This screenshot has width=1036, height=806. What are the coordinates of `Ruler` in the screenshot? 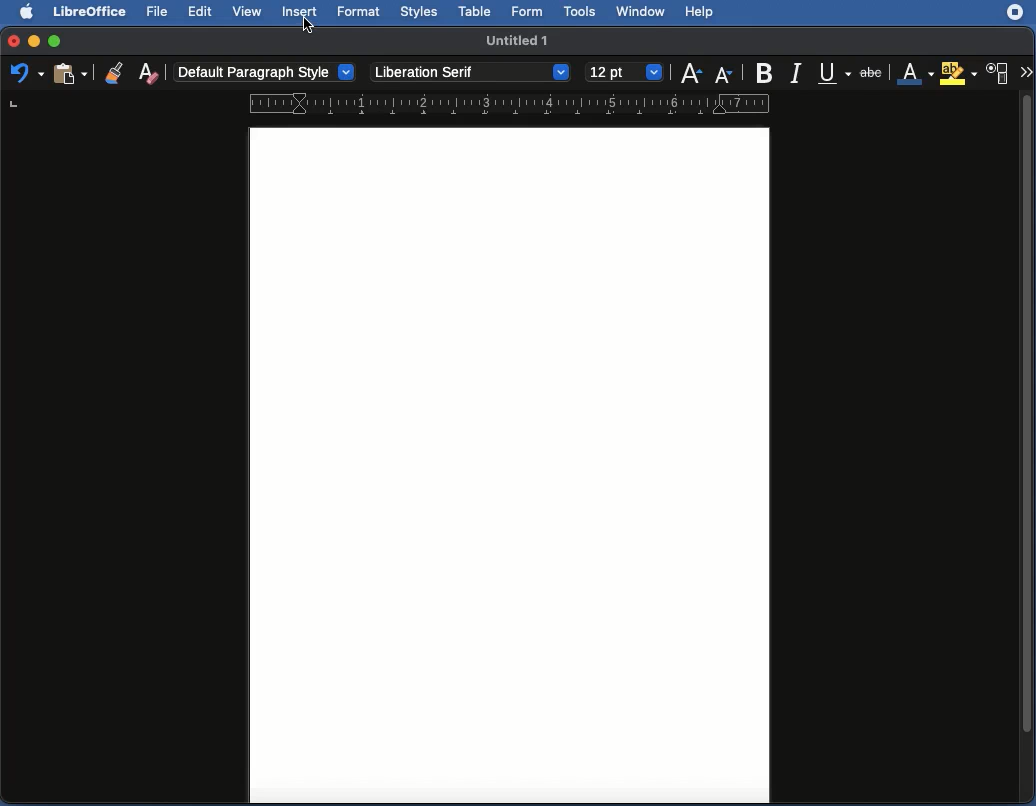 It's located at (394, 101).